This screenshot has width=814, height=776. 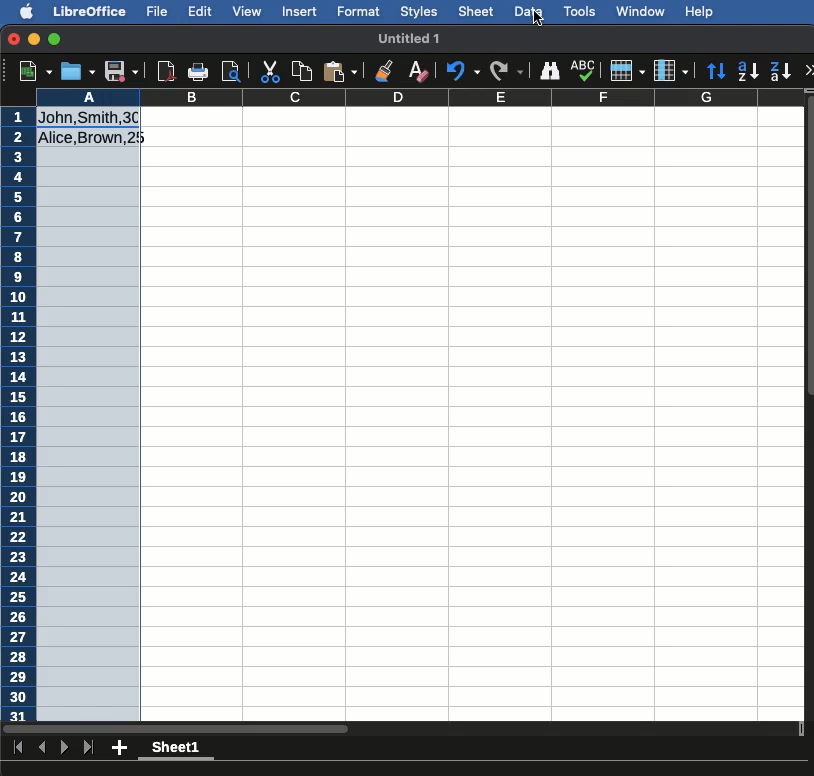 I want to click on Spell check, so click(x=584, y=69).